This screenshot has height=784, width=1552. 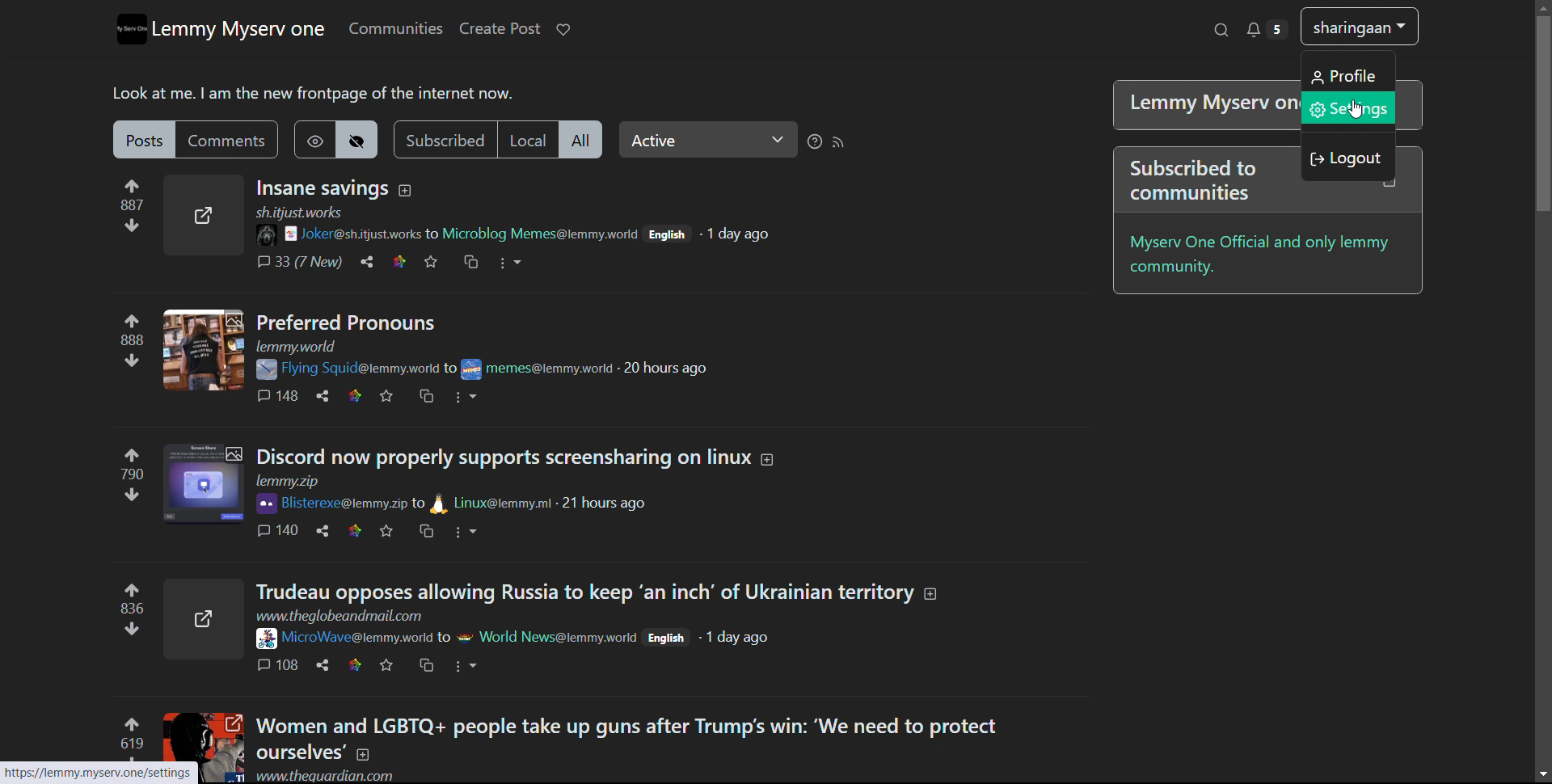 What do you see at coordinates (581, 140) in the screenshot?
I see `all` at bounding box center [581, 140].